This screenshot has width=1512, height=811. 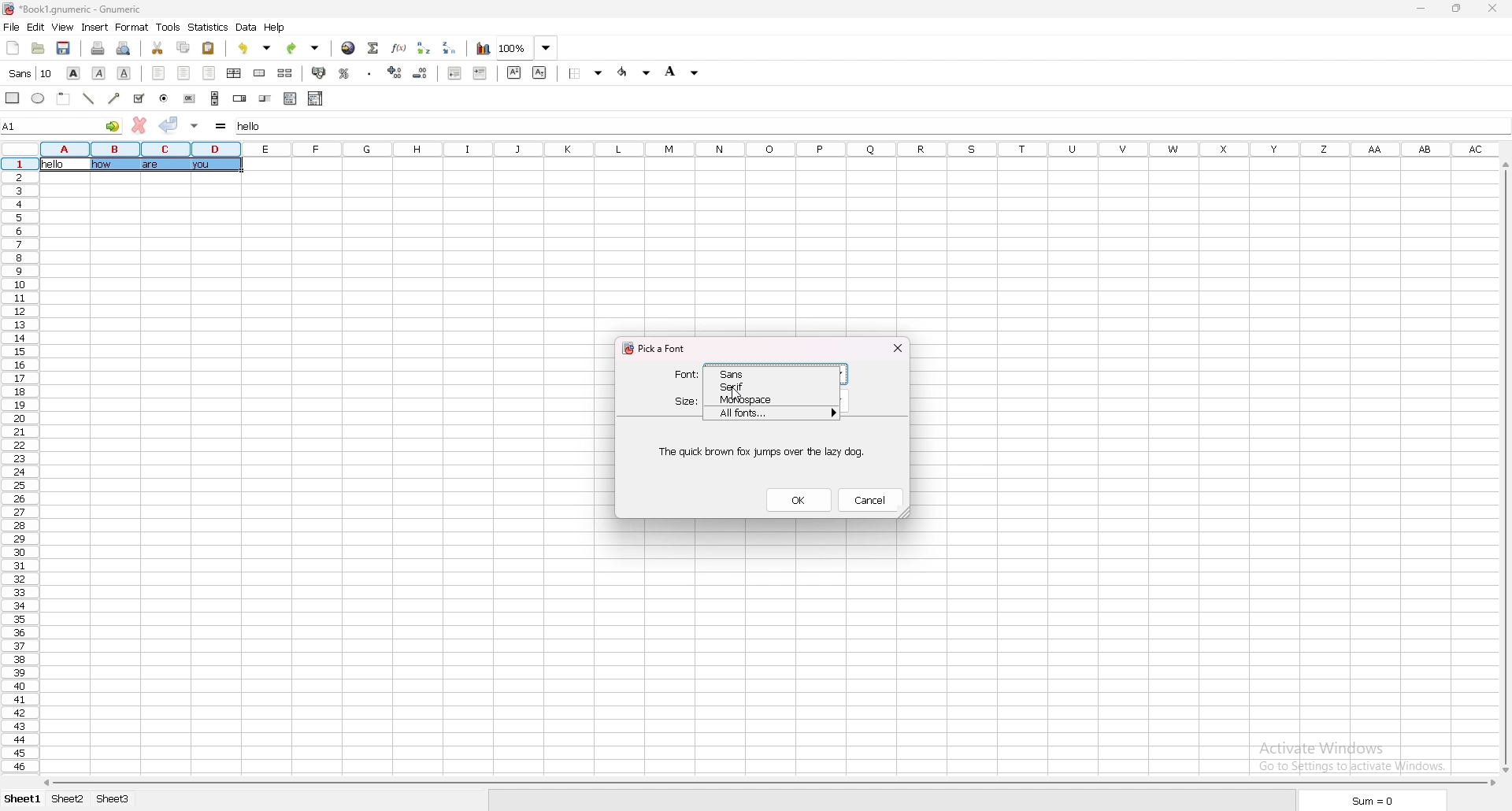 I want to click on list, so click(x=290, y=99).